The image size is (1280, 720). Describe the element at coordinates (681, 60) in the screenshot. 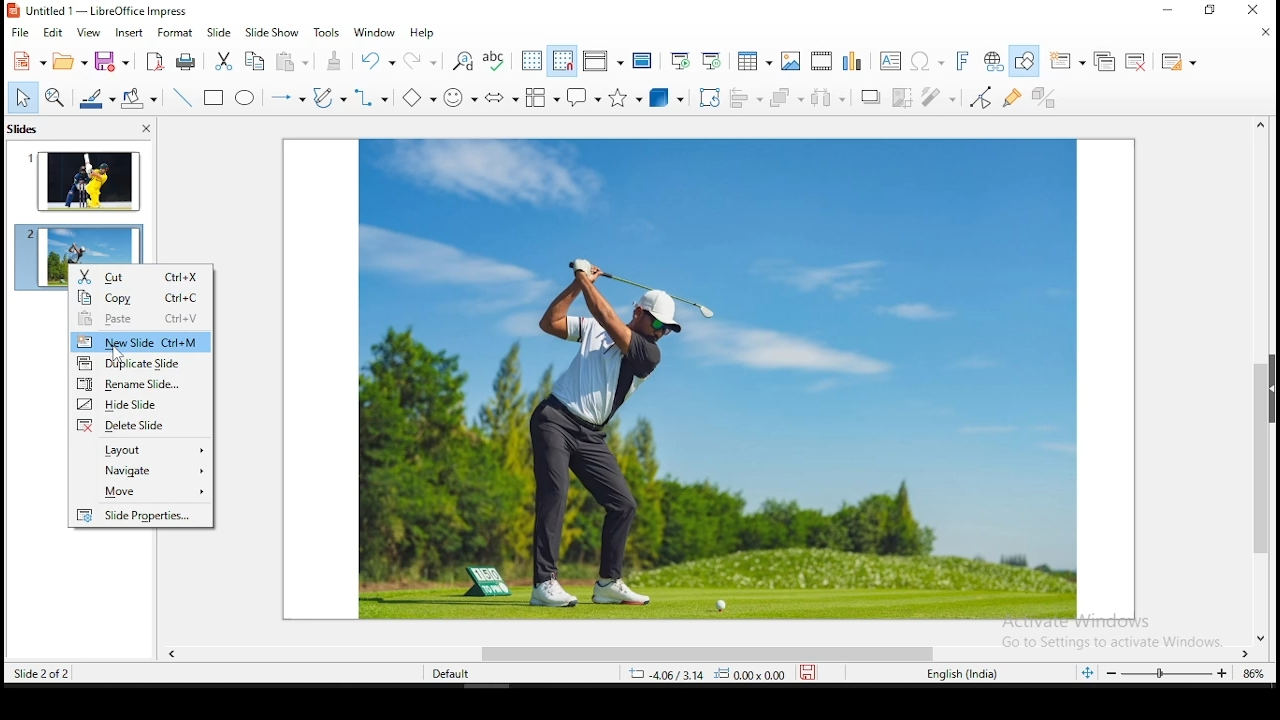

I see `start from first slide` at that location.